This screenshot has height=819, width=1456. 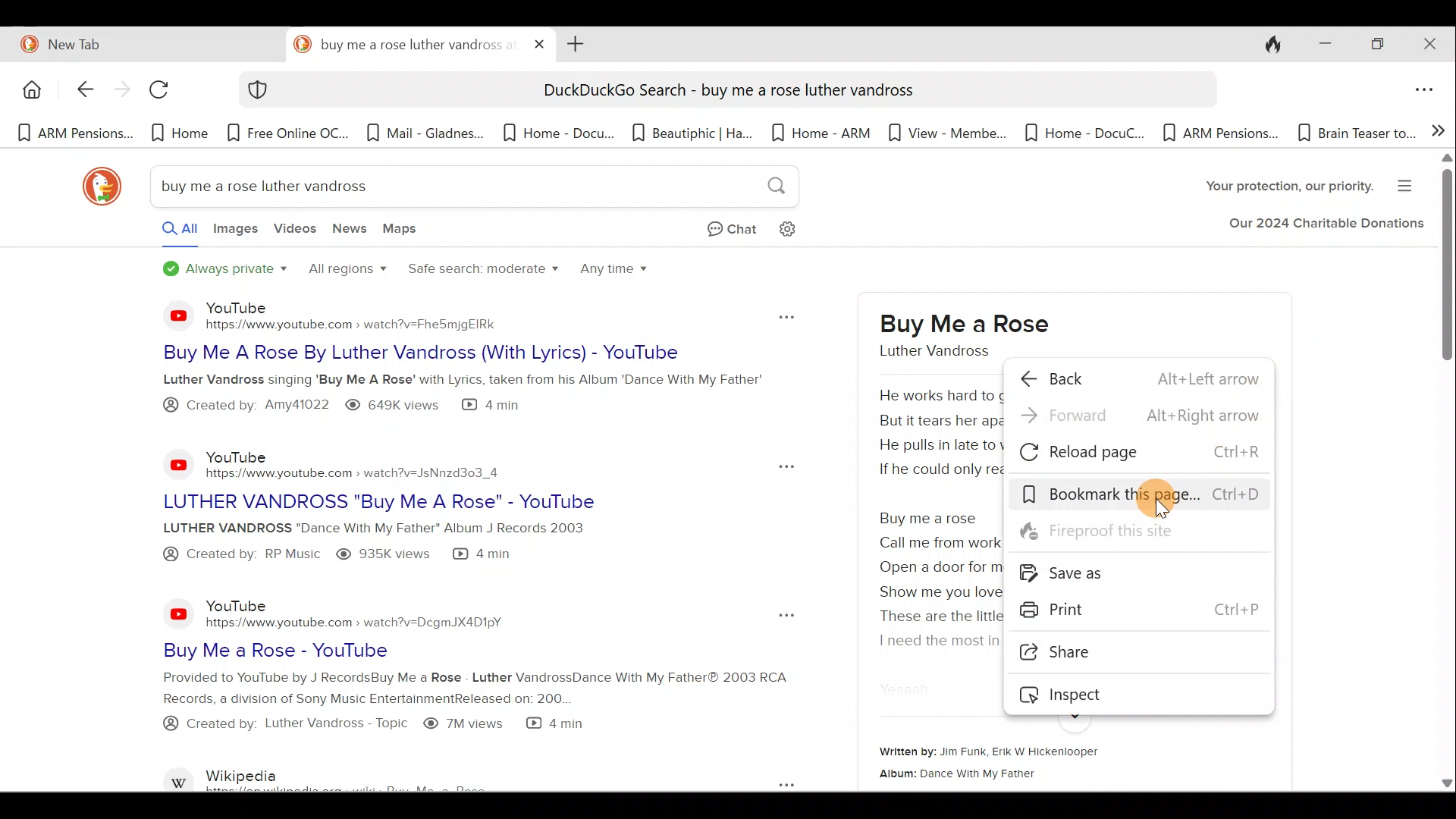 I want to click on Save as, so click(x=1148, y=573).